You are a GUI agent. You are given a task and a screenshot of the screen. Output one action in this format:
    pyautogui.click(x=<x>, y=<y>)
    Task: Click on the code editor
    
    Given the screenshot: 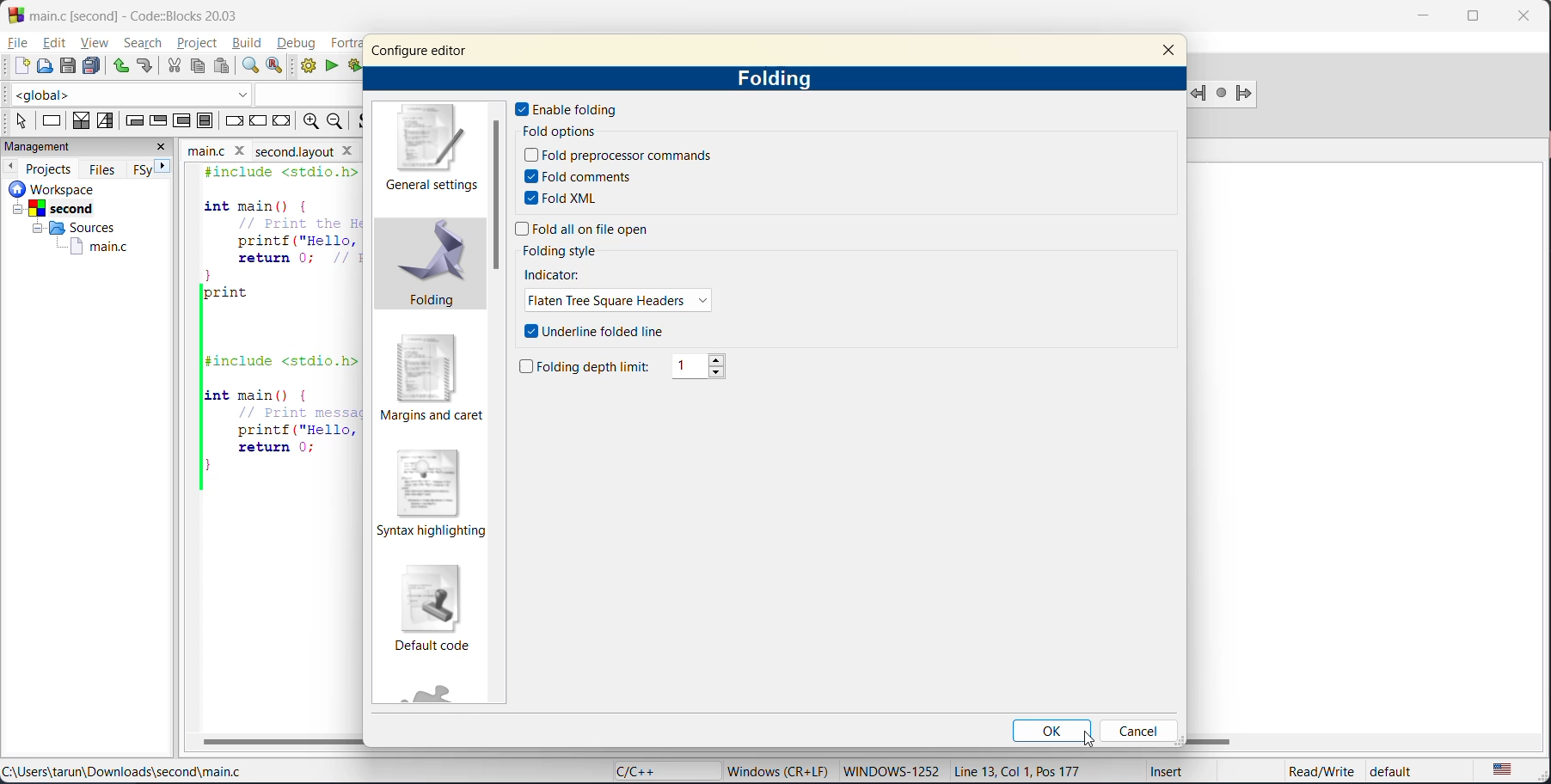 What is the action you would take?
    pyautogui.click(x=275, y=328)
    